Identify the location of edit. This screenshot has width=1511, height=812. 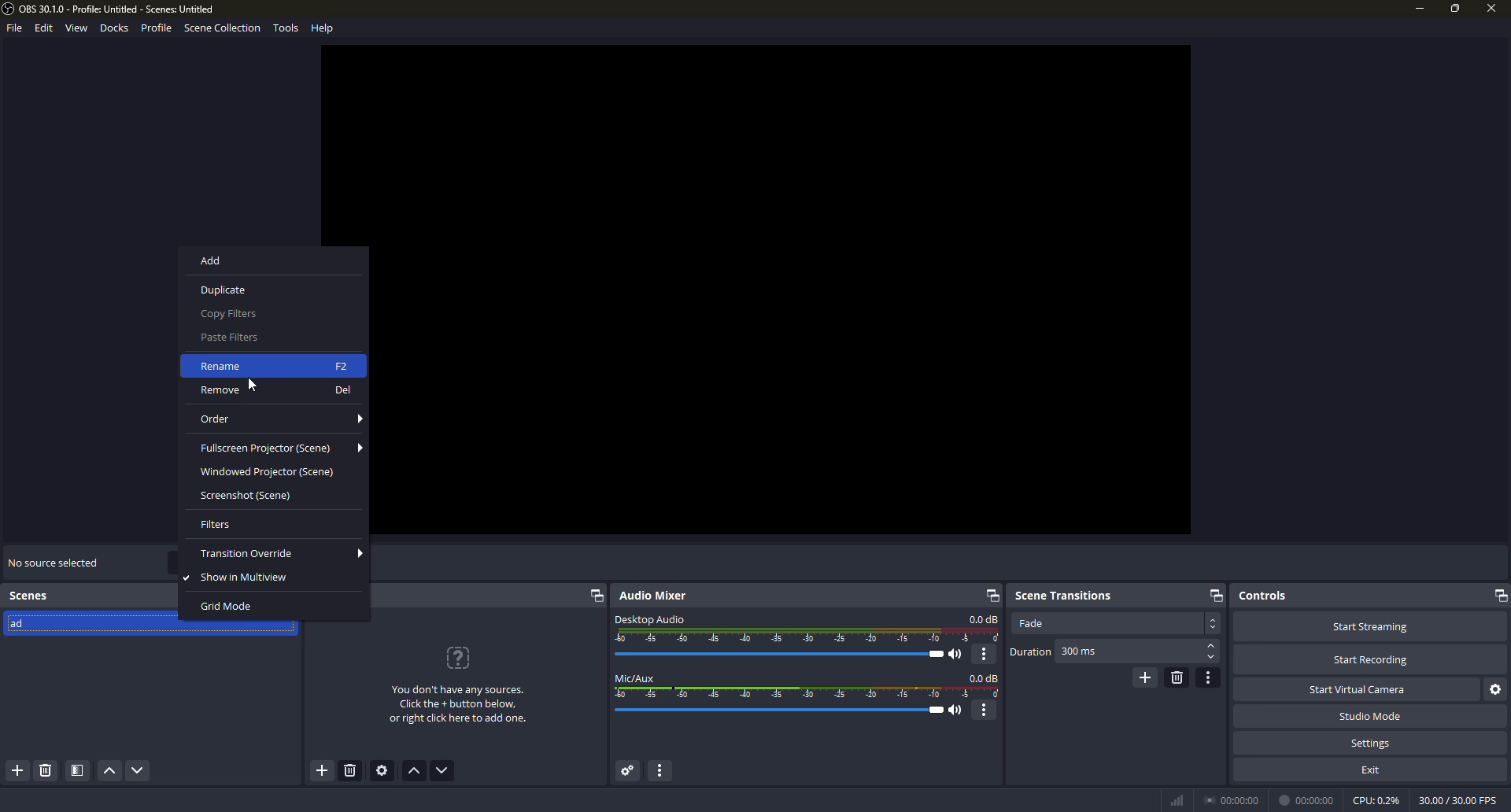
(41, 28).